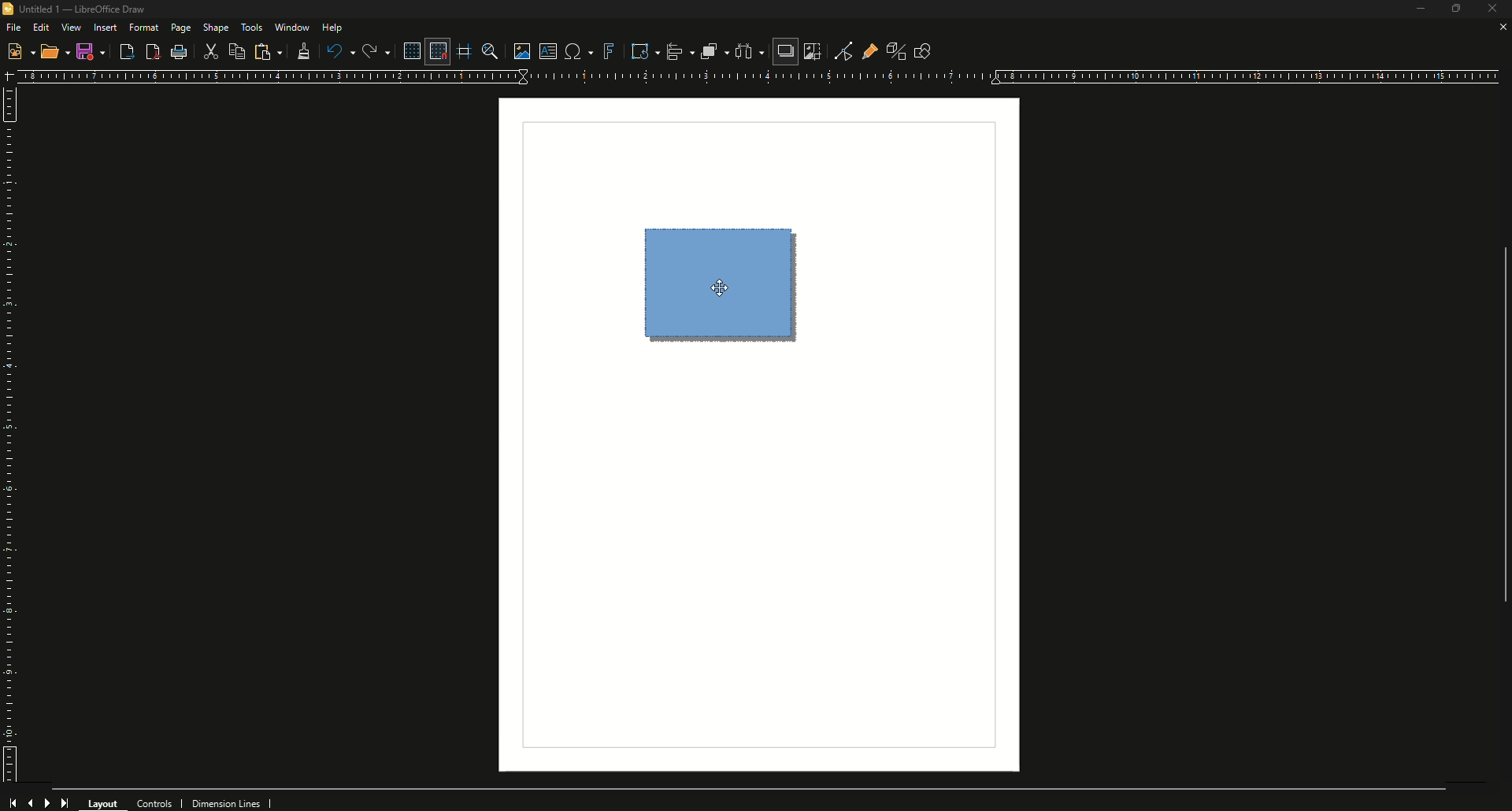  I want to click on Window, so click(291, 27).